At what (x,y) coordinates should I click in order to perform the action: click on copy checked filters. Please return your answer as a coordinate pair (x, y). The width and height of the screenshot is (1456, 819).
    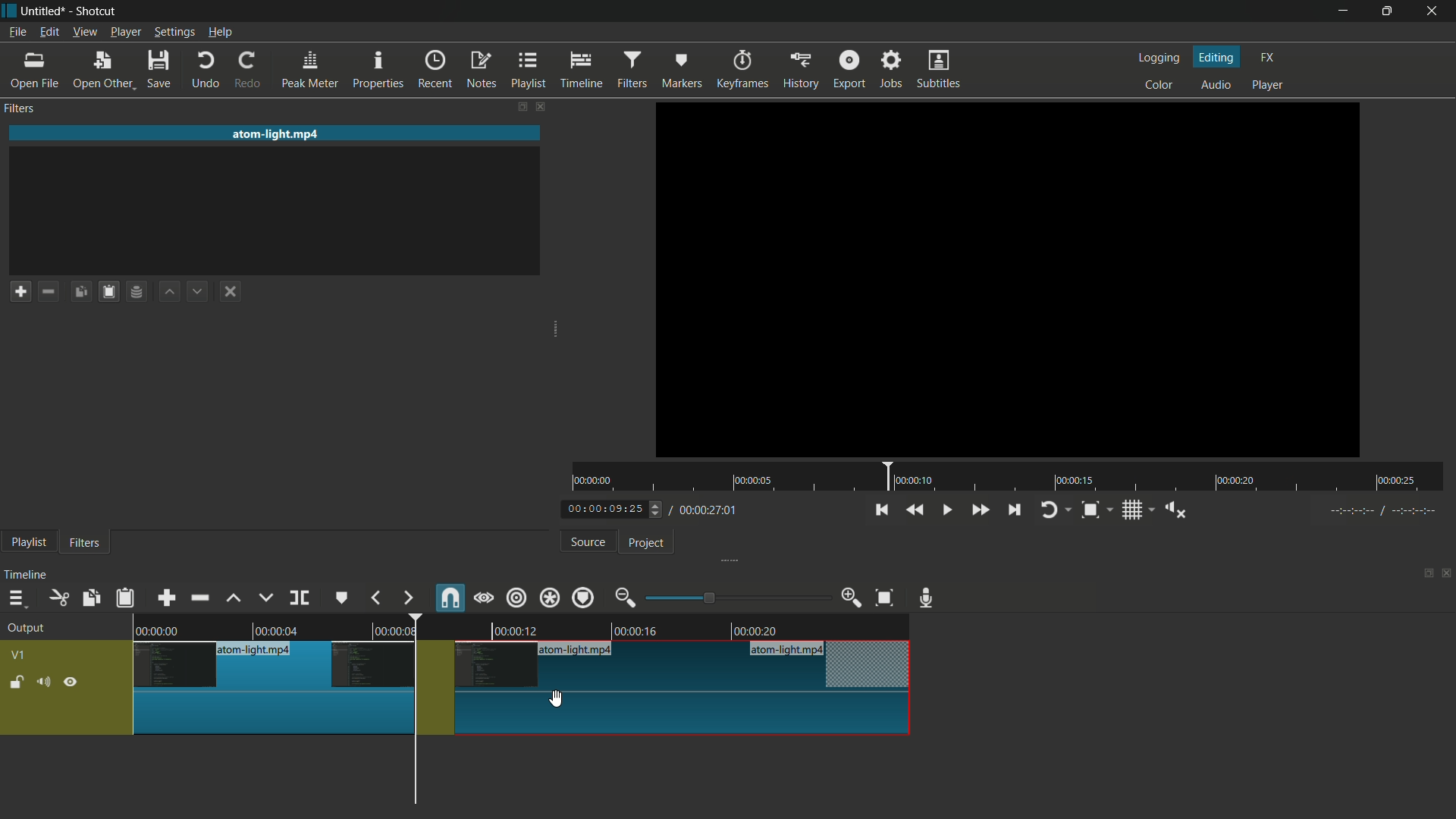
    Looking at the image, I should click on (93, 598).